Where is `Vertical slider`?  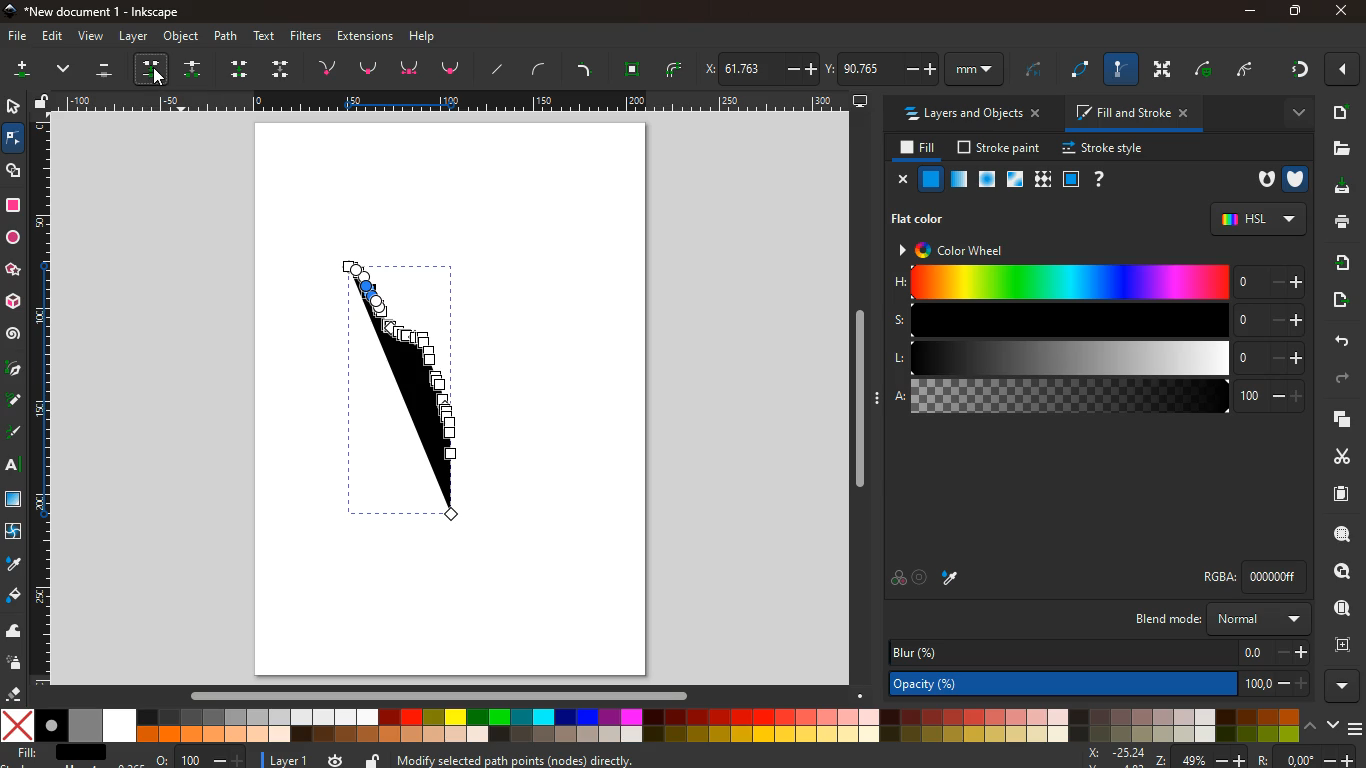
Vertical slider is located at coordinates (862, 399).